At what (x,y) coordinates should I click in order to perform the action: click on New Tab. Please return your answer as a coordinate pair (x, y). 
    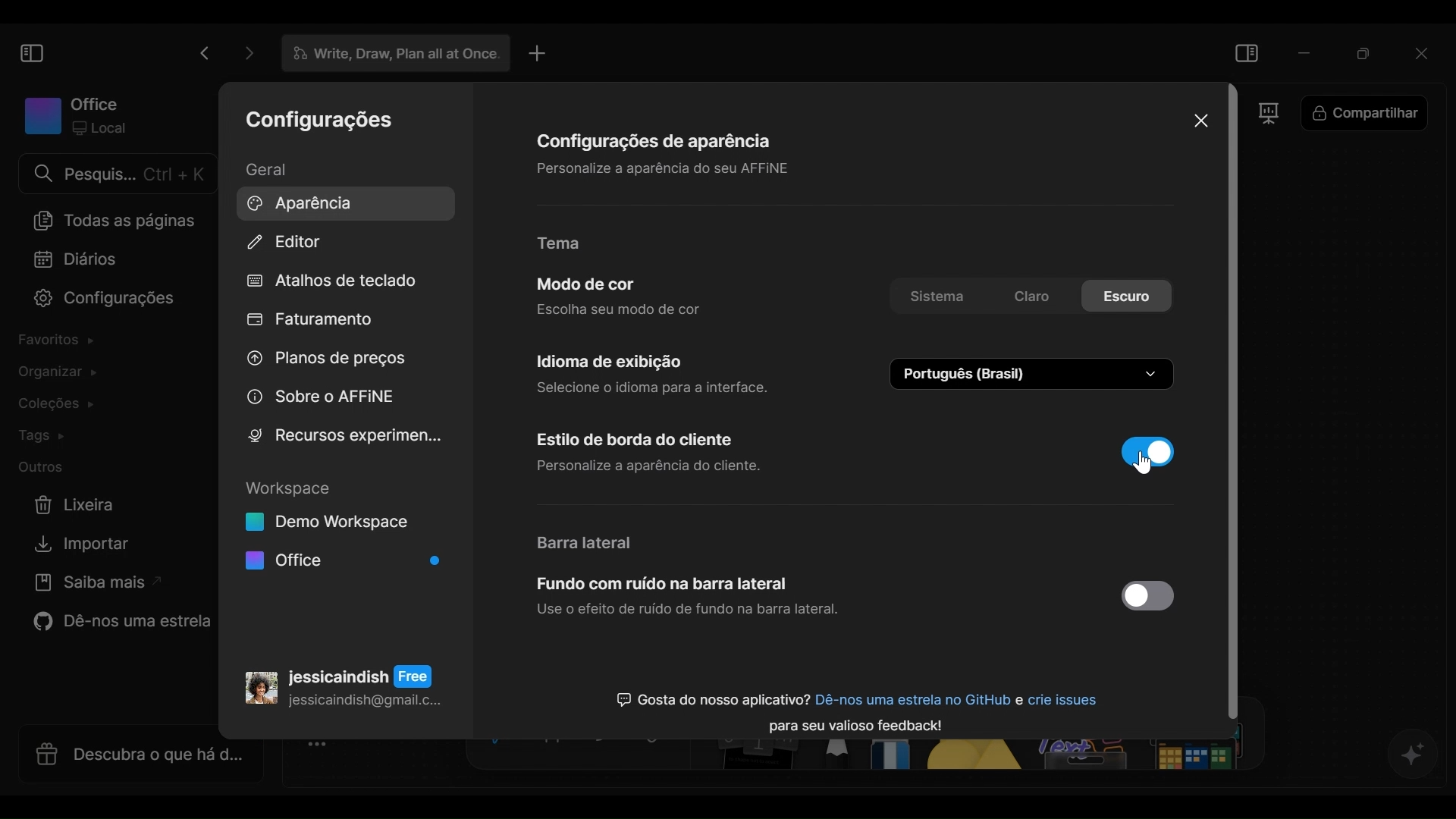
    Looking at the image, I should click on (538, 53).